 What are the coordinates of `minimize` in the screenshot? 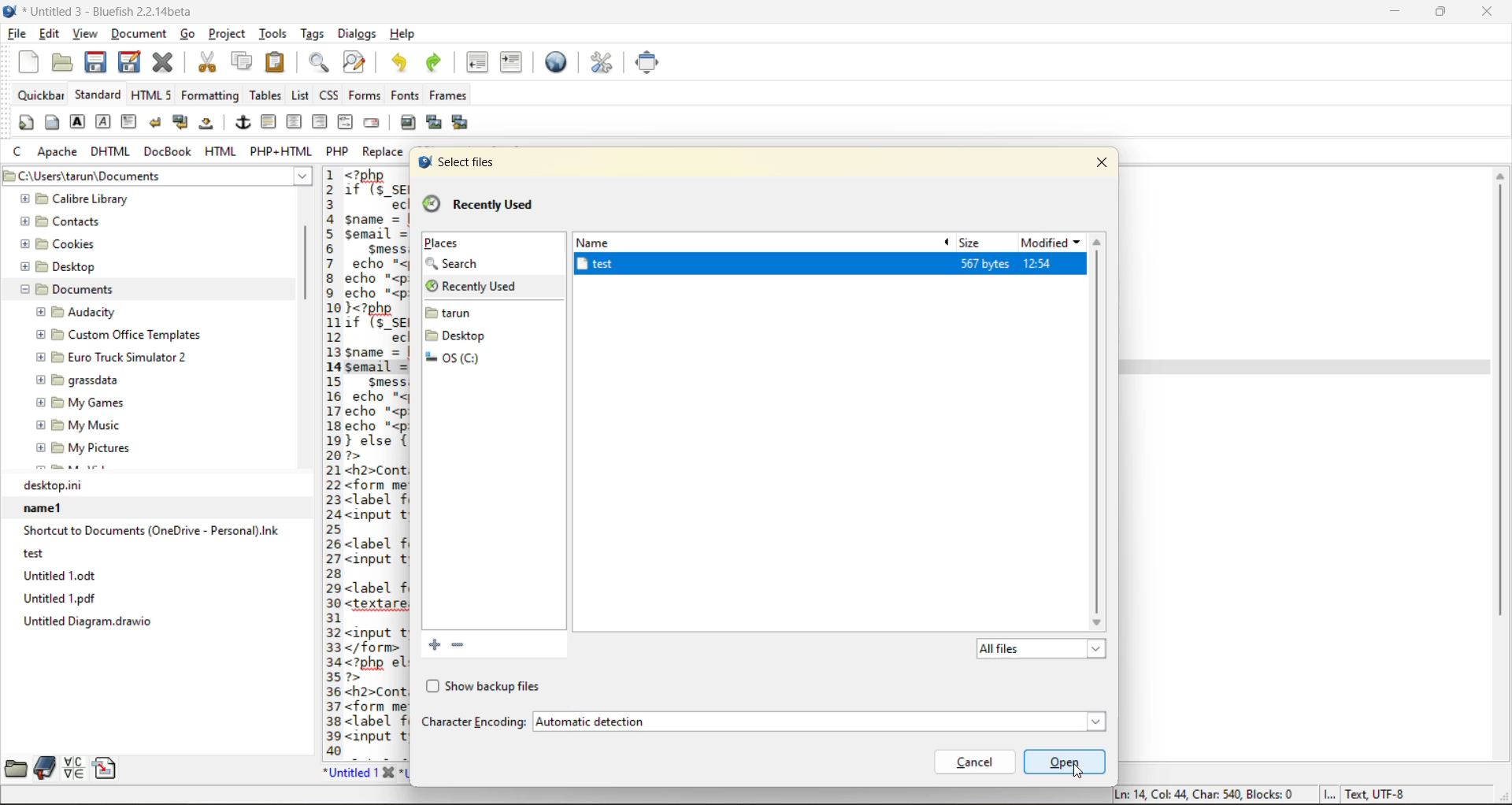 It's located at (1392, 11).